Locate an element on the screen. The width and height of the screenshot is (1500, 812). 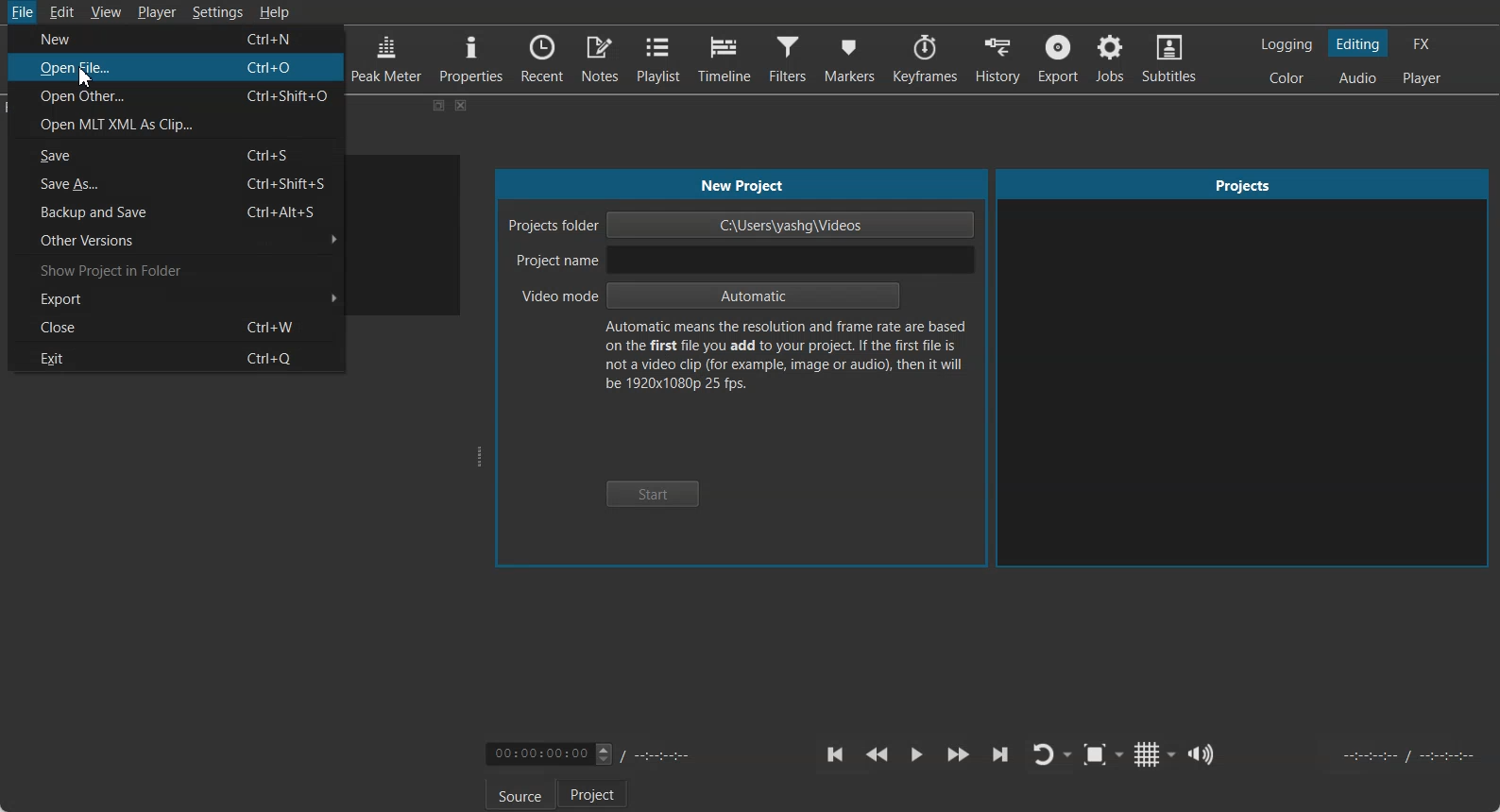
Ctrl+Q is located at coordinates (275, 360).